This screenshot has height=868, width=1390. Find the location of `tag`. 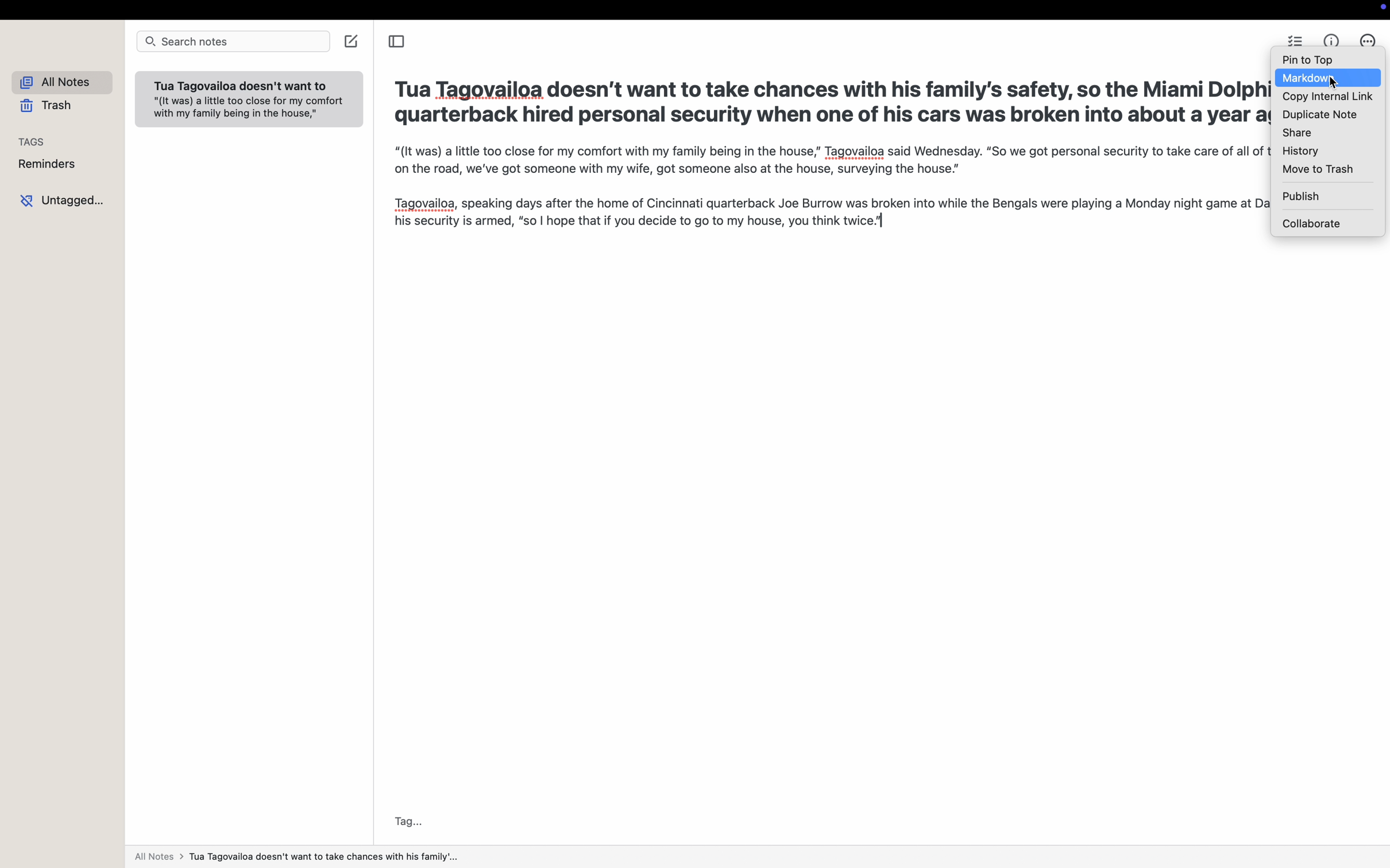

tag is located at coordinates (408, 821).